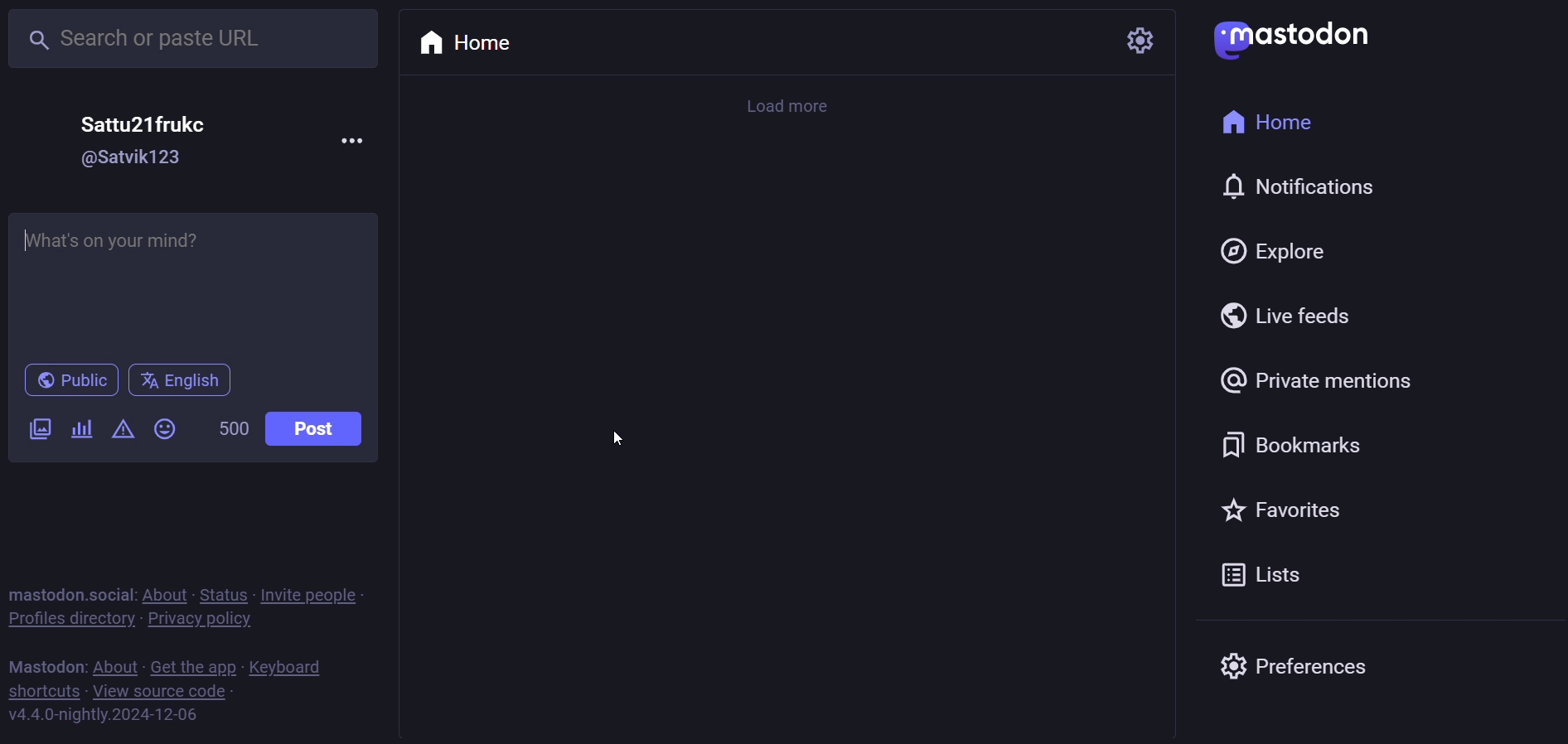 Image resolution: width=1568 pixels, height=744 pixels. What do you see at coordinates (1295, 186) in the screenshot?
I see `Notification` at bounding box center [1295, 186].